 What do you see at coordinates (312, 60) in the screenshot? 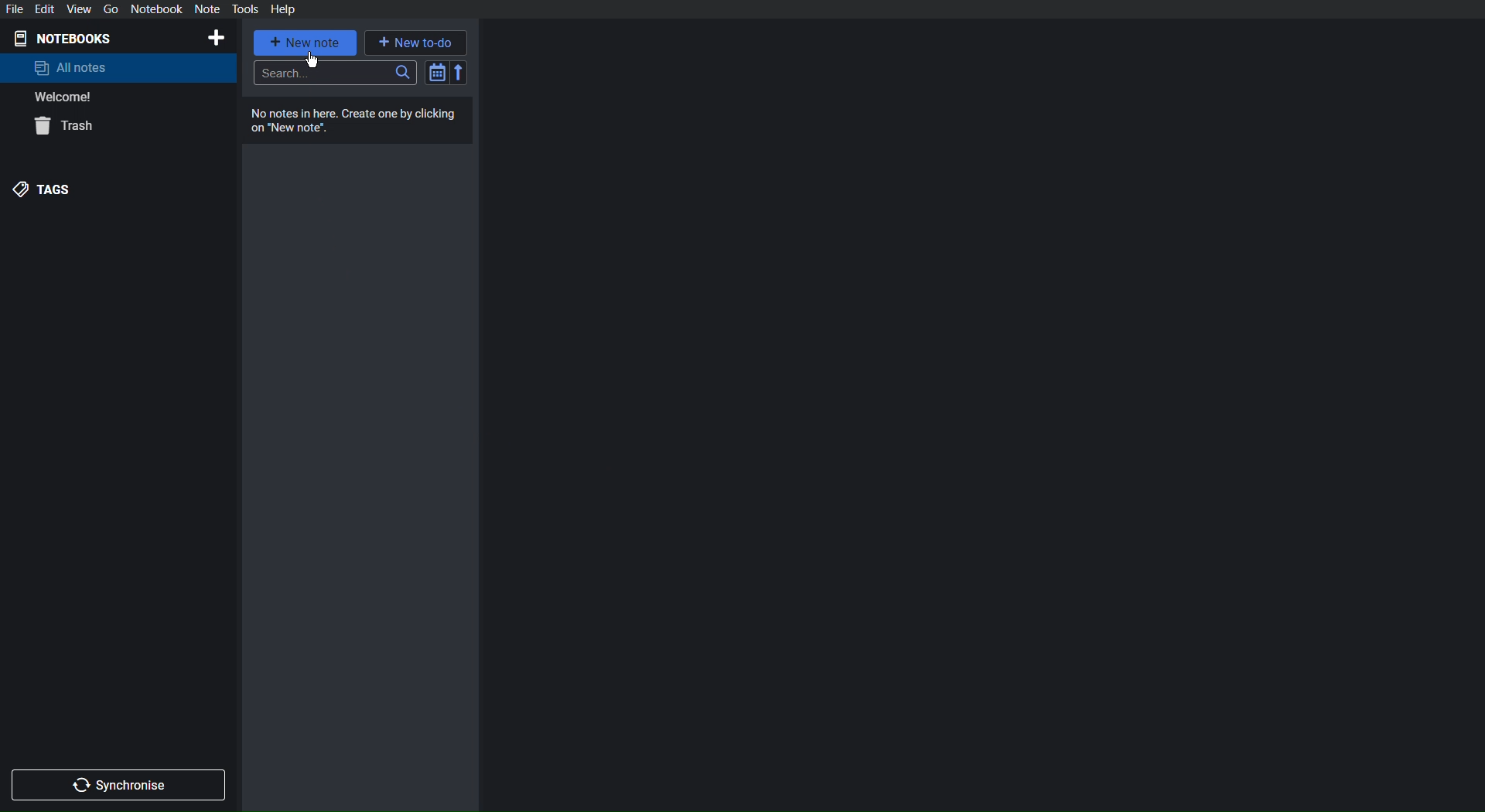
I see `cursor` at bounding box center [312, 60].